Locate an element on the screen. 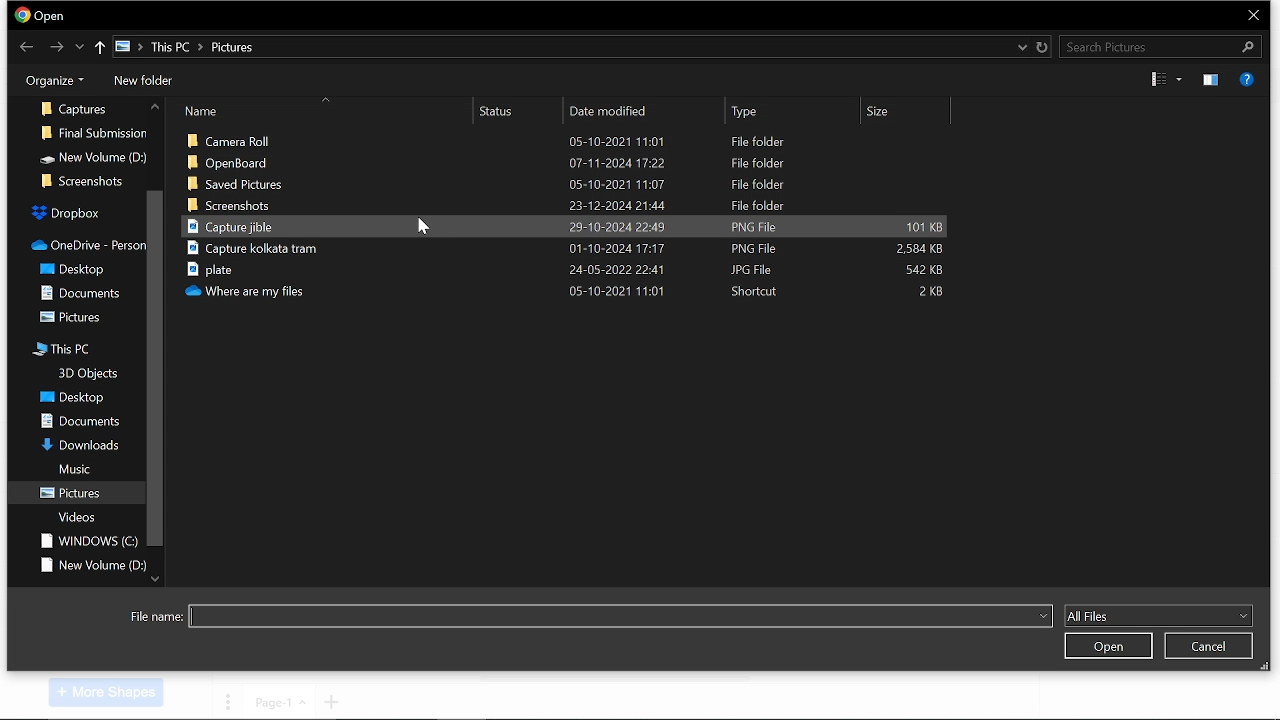  help is located at coordinates (1248, 79).